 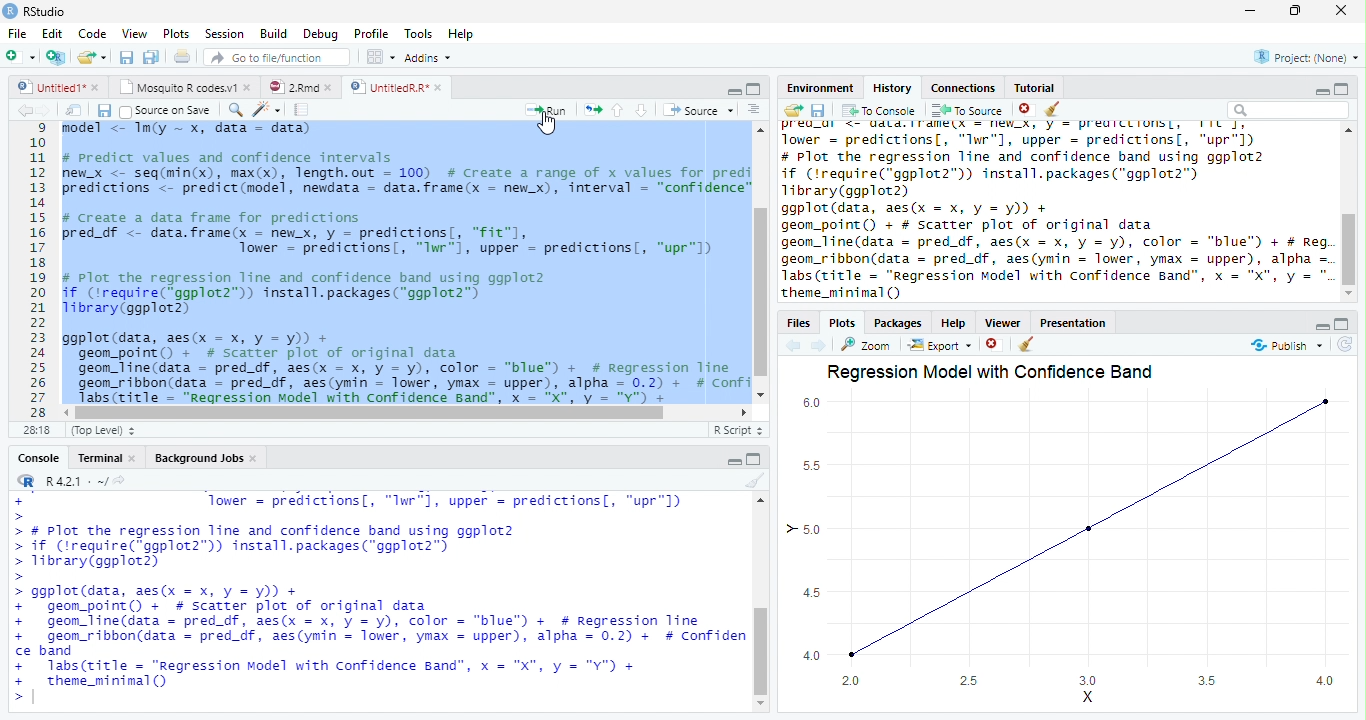 What do you see at coordinates (956, 322) in the screenshot?
I see `Help` at bounding box center [956, 322].